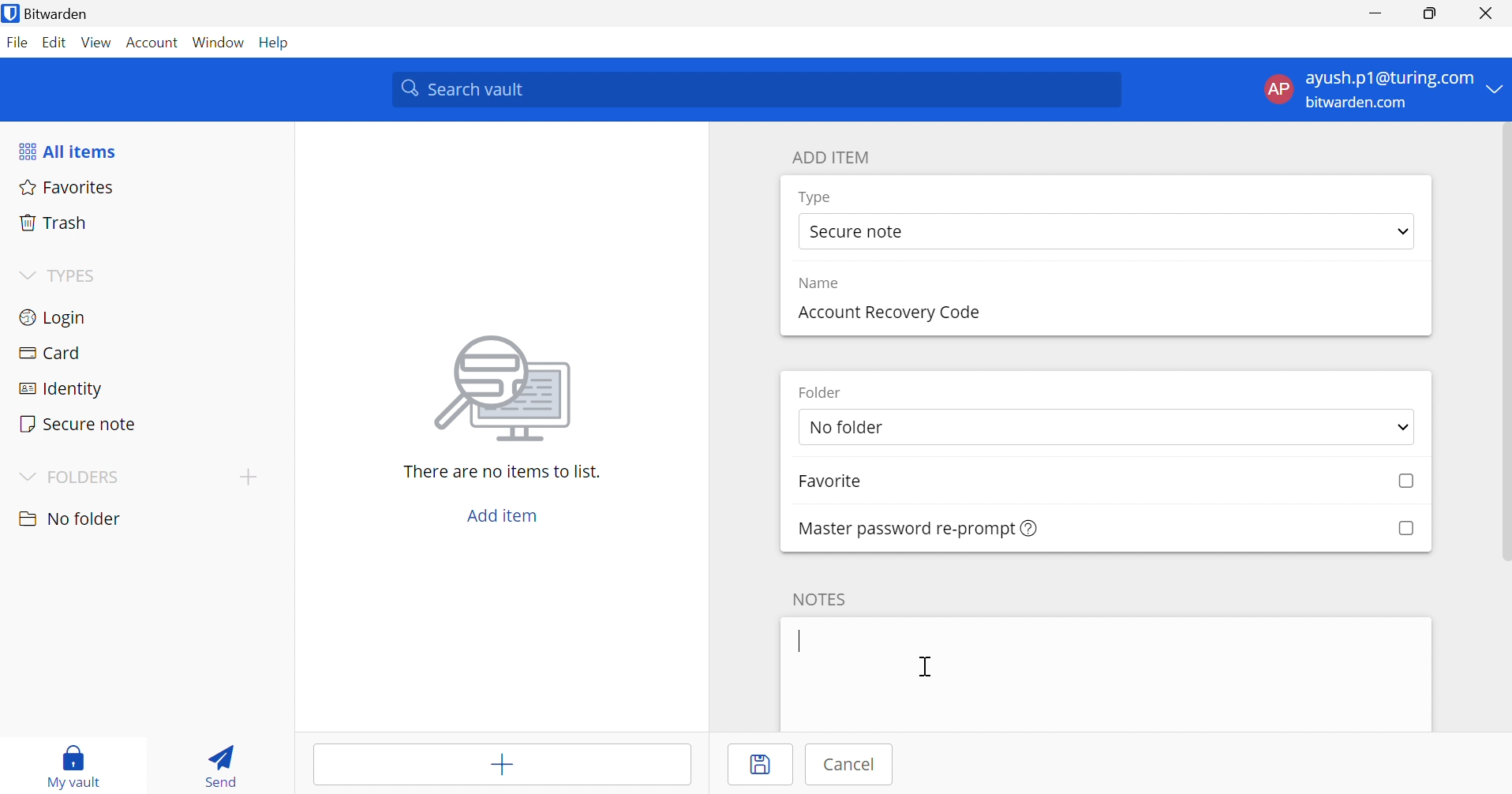  I want to click on NOTES, so click(825, 597).